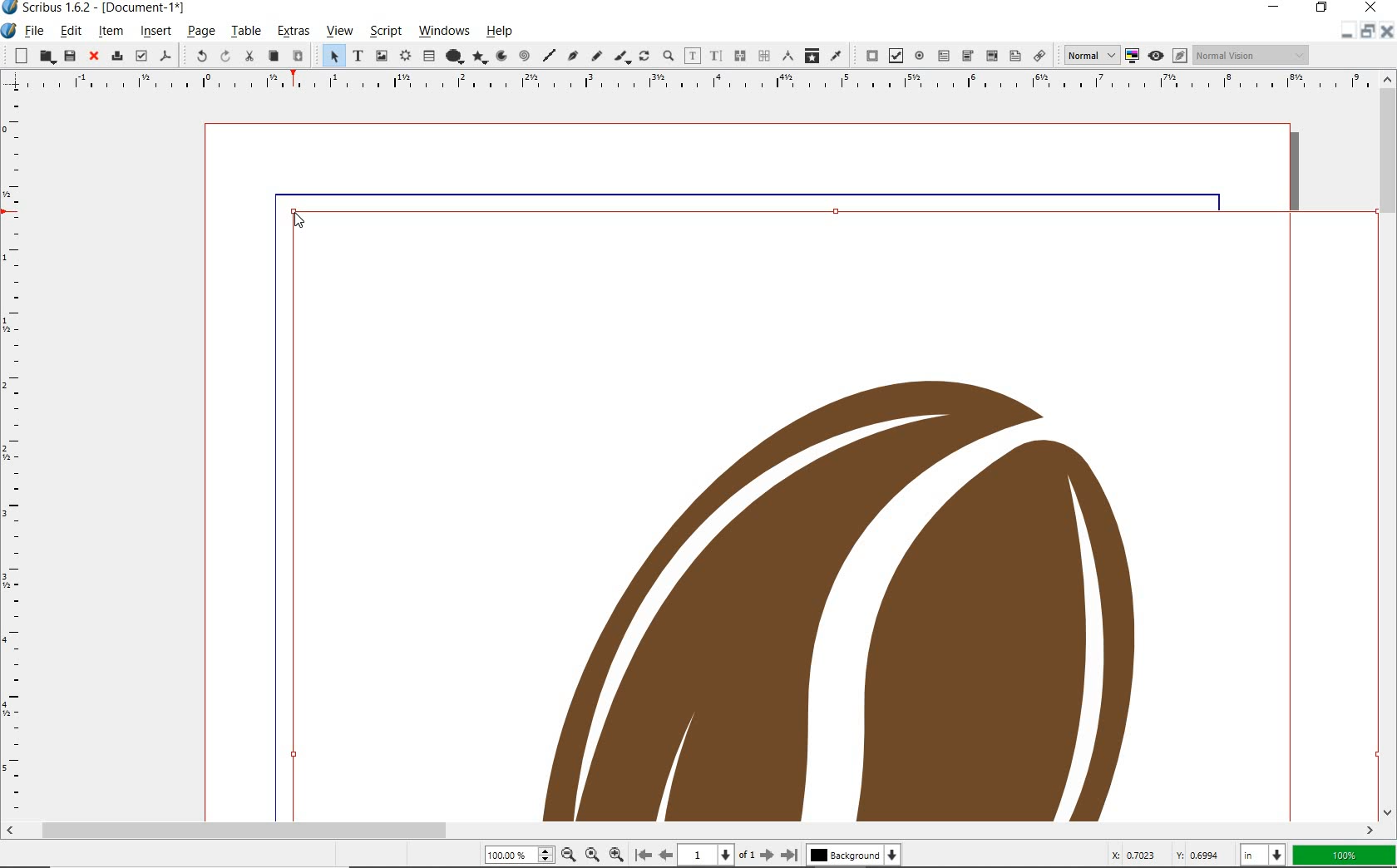 The height and width of the screenshot is (868, 1397). I want to click on select item, so click(329, 56).